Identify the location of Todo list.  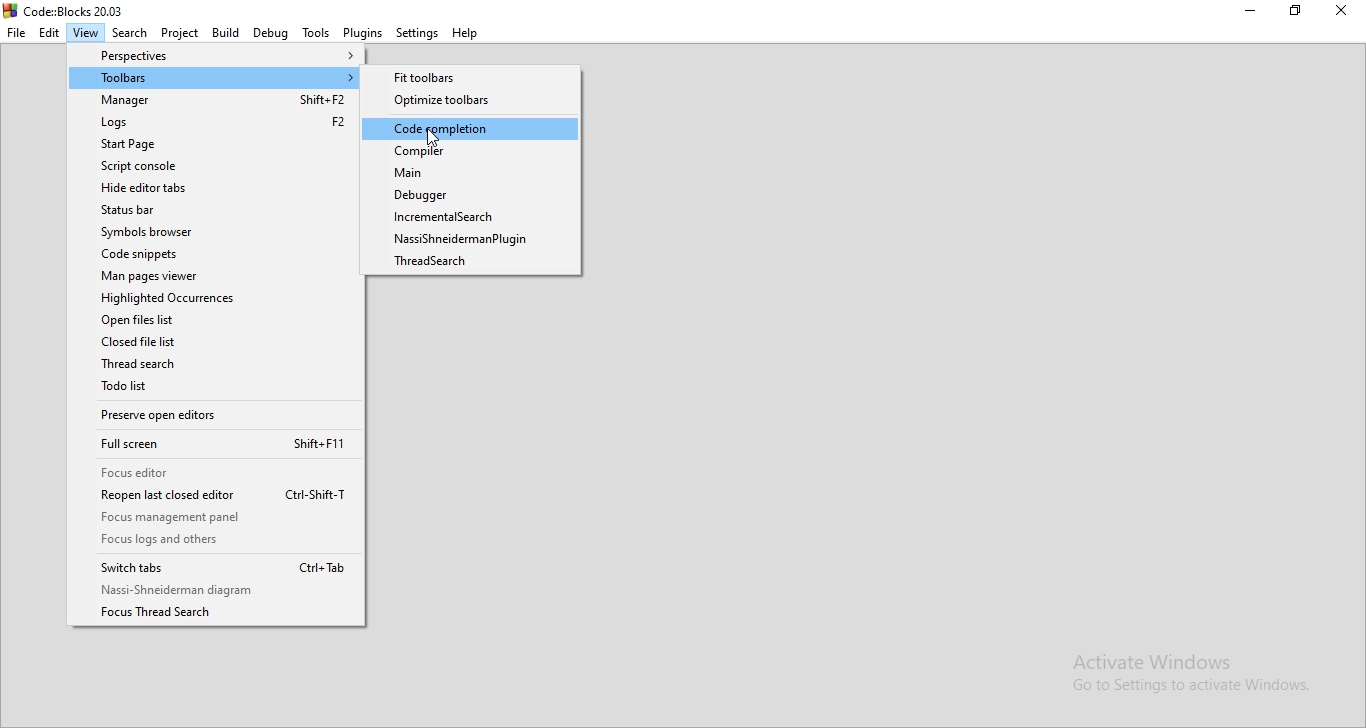
(216, 389).